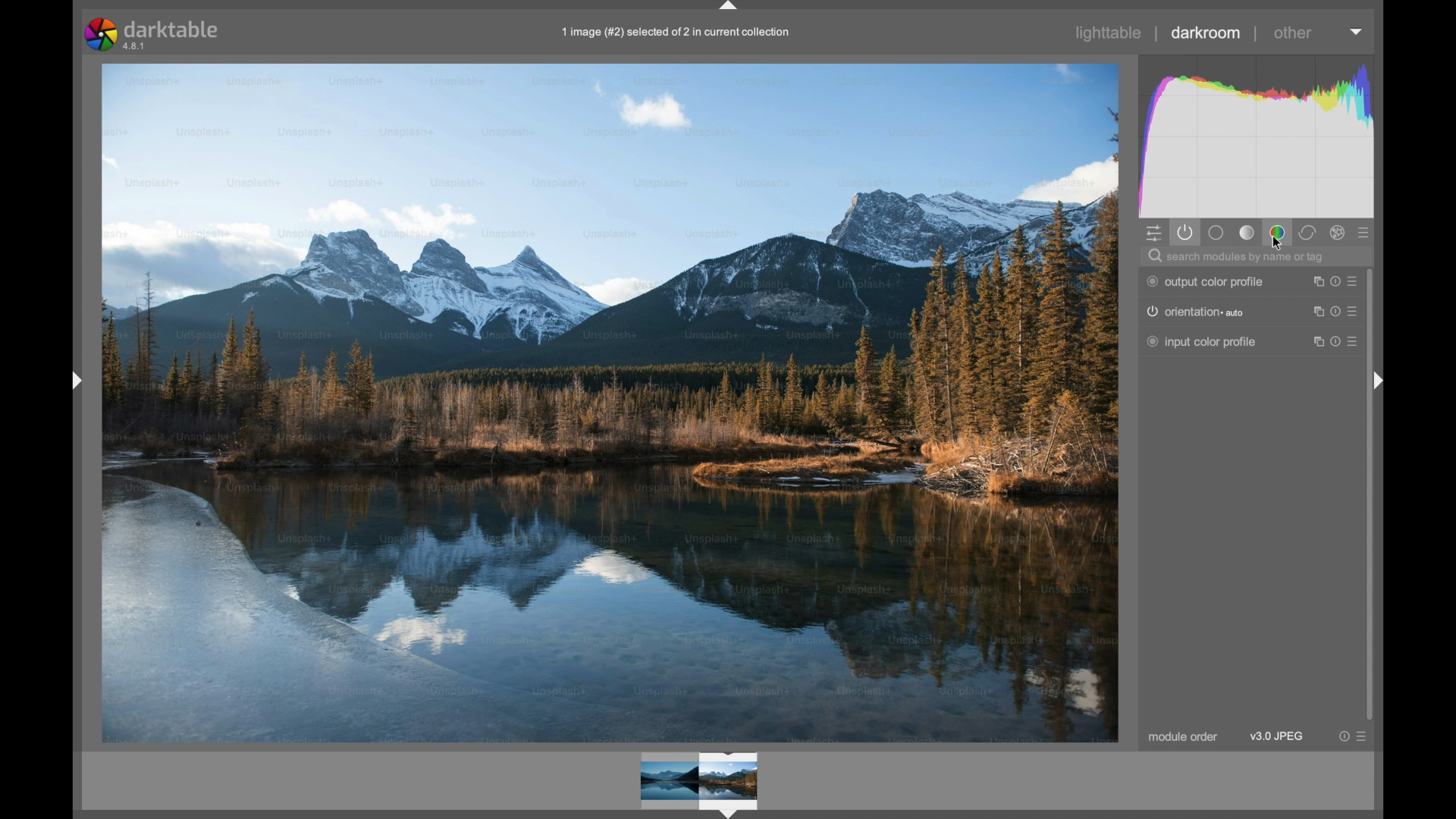 This screenshot has width=1456, height=819. What do you see at coordinates (1336, 283) in the screenshot?
I see `reset parameters` at bounding box center [1336, 283].